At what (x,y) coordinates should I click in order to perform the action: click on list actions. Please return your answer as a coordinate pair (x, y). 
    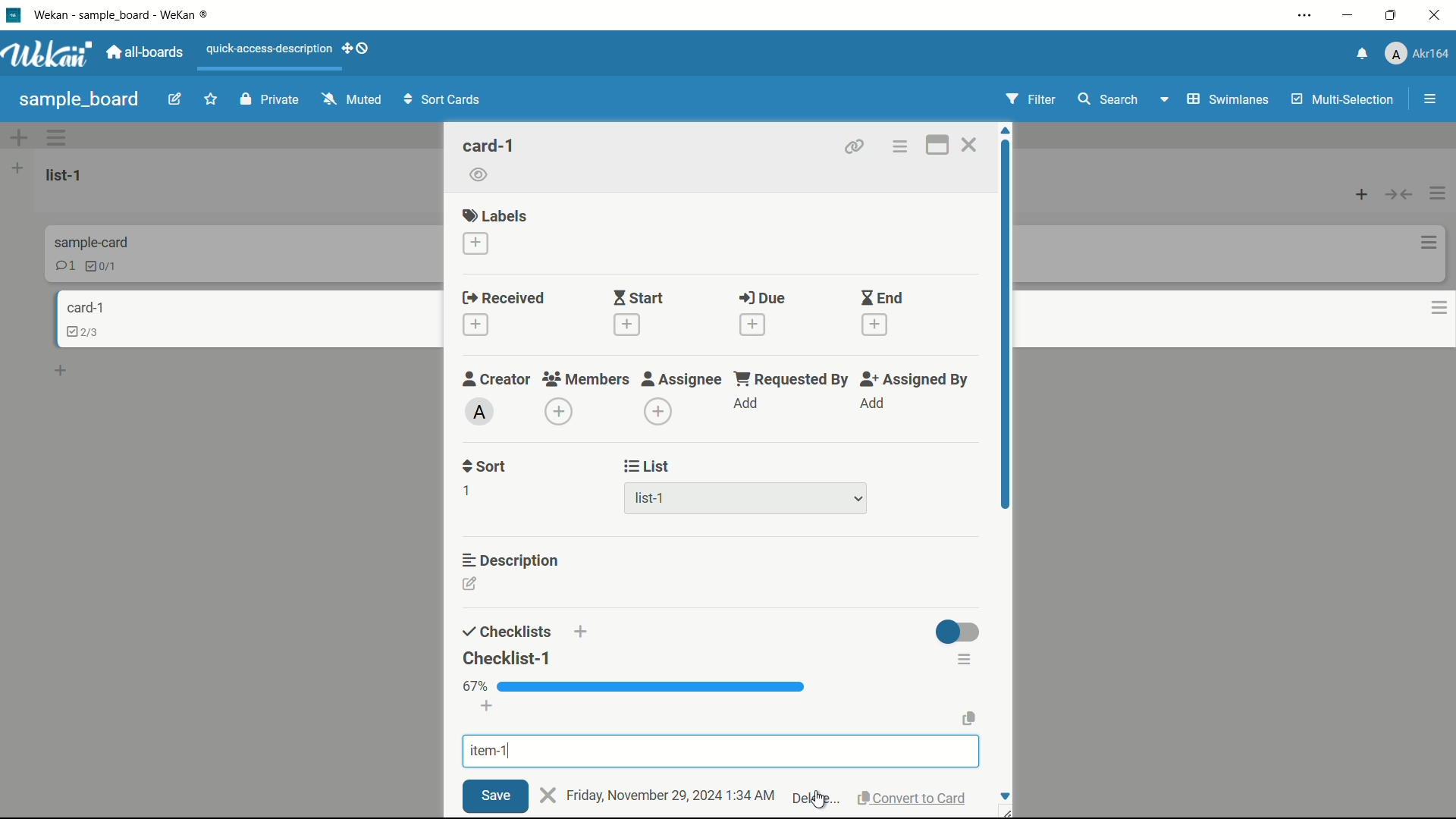
    Looking at the image, I should click on (1437, 193).